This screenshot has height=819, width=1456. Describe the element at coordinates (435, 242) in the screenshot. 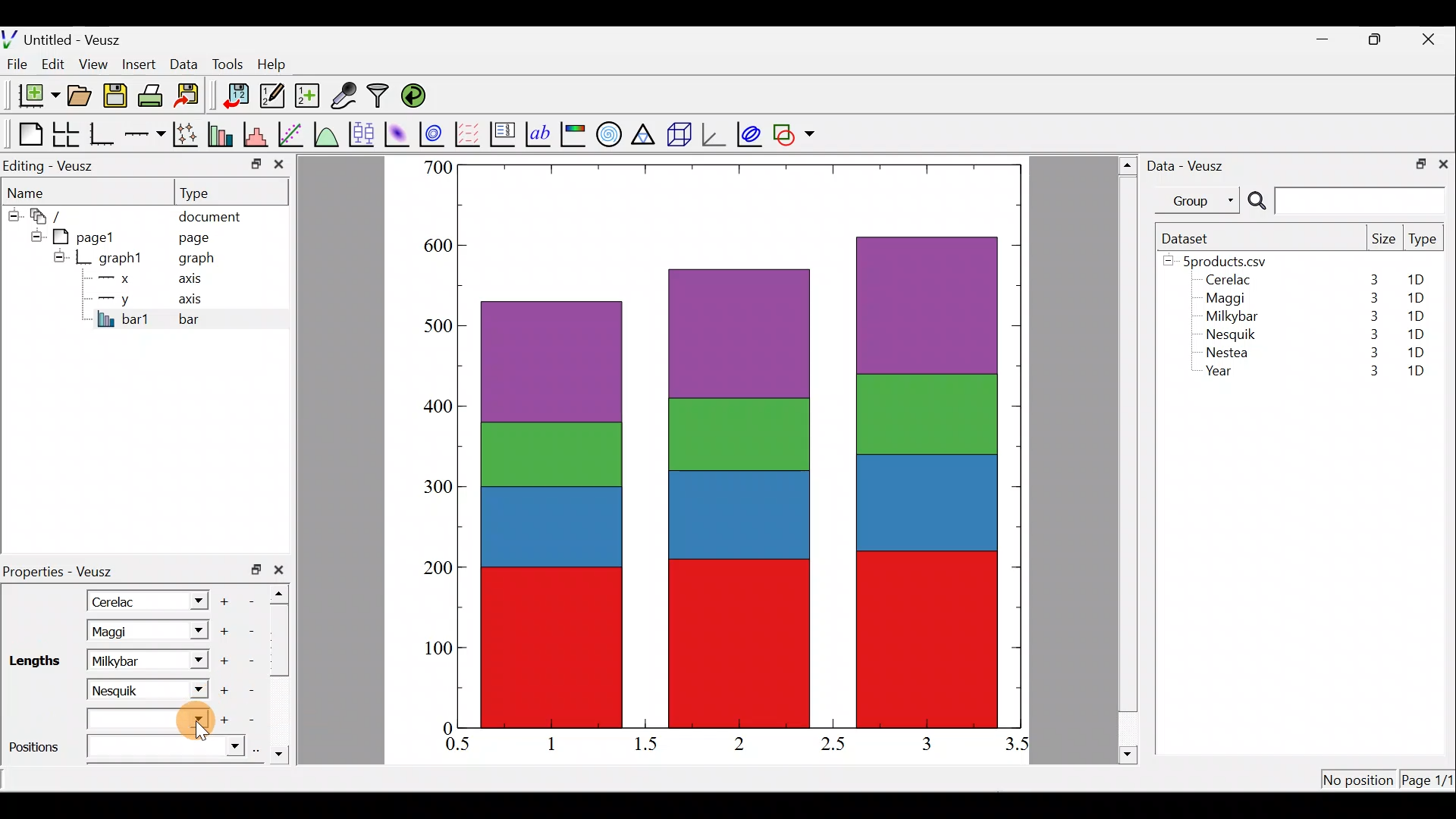

I see `600` at that location.